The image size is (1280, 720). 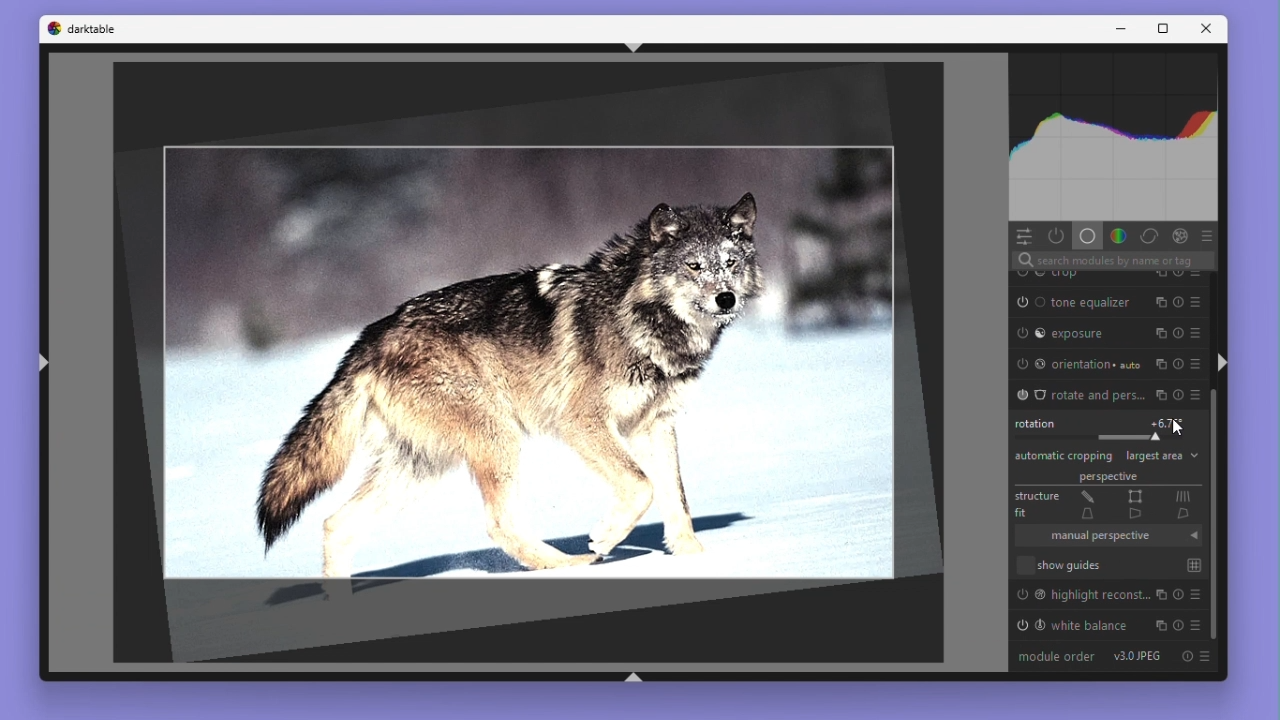 I want to click on Presets, so click(x=1212, y=235).